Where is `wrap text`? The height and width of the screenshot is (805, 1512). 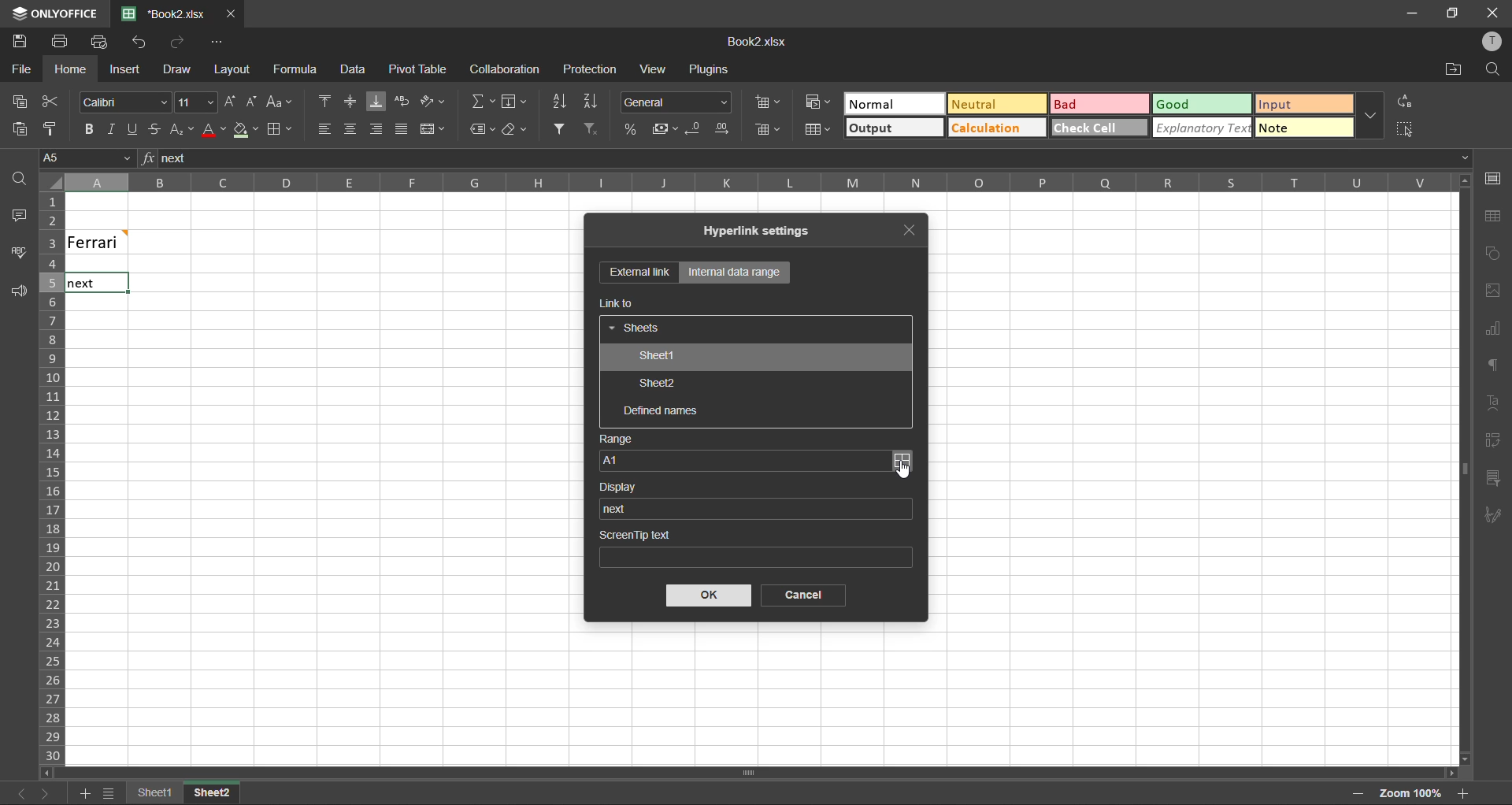 wrap text is located at coordinates (402, 101).